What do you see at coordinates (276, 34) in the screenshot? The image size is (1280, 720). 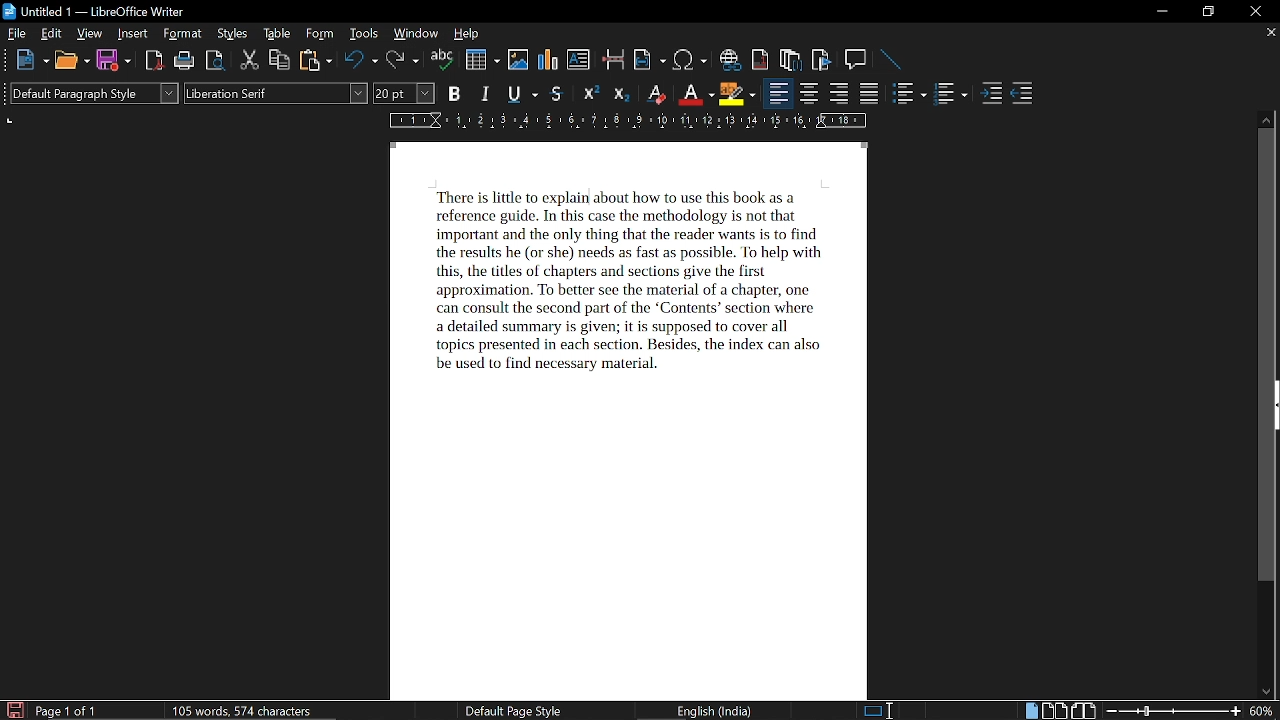 I see `table` at bounding box center [276, 34].